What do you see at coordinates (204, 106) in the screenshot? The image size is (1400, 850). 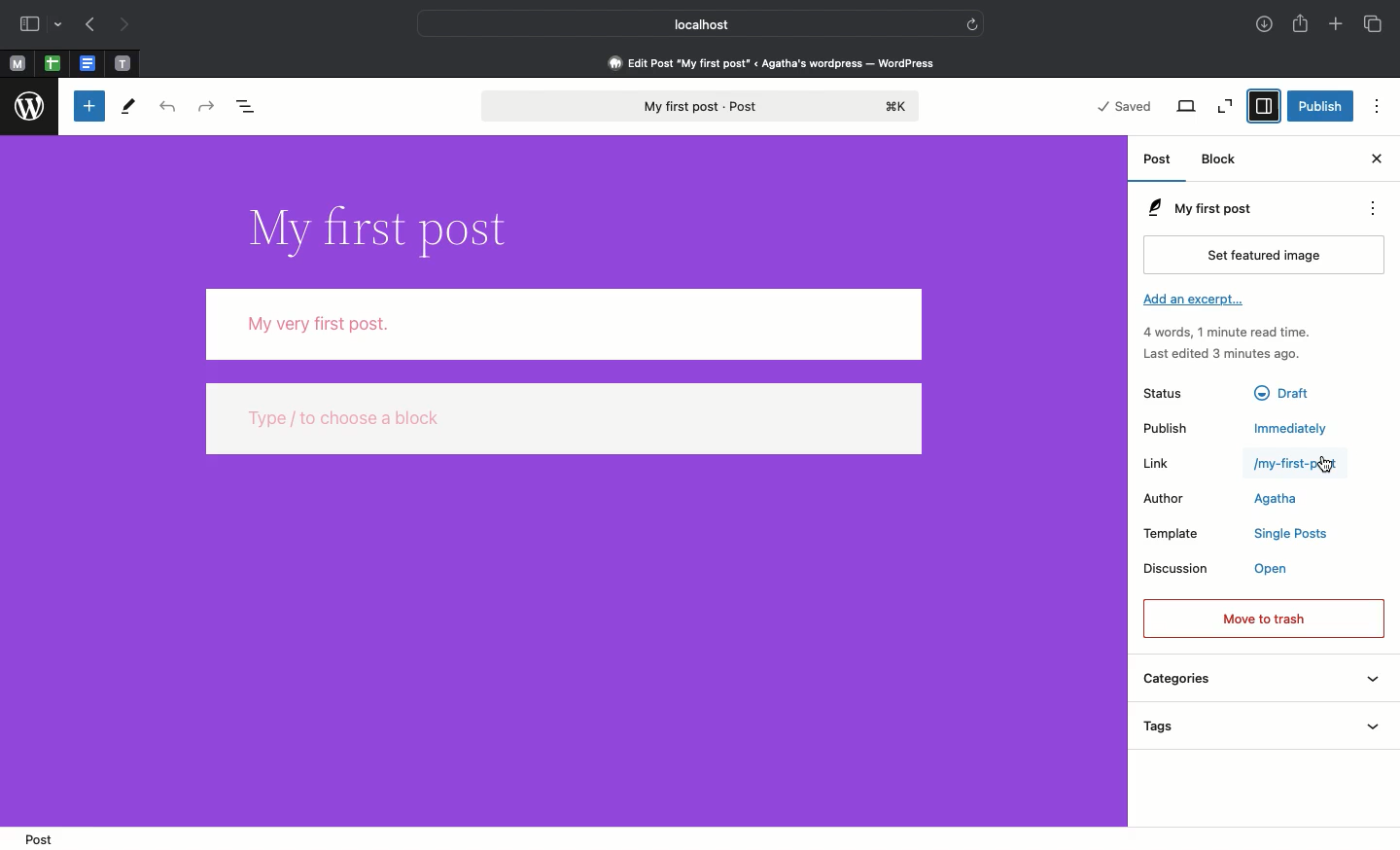 I see `Redo` at bounding box center [204, 106].